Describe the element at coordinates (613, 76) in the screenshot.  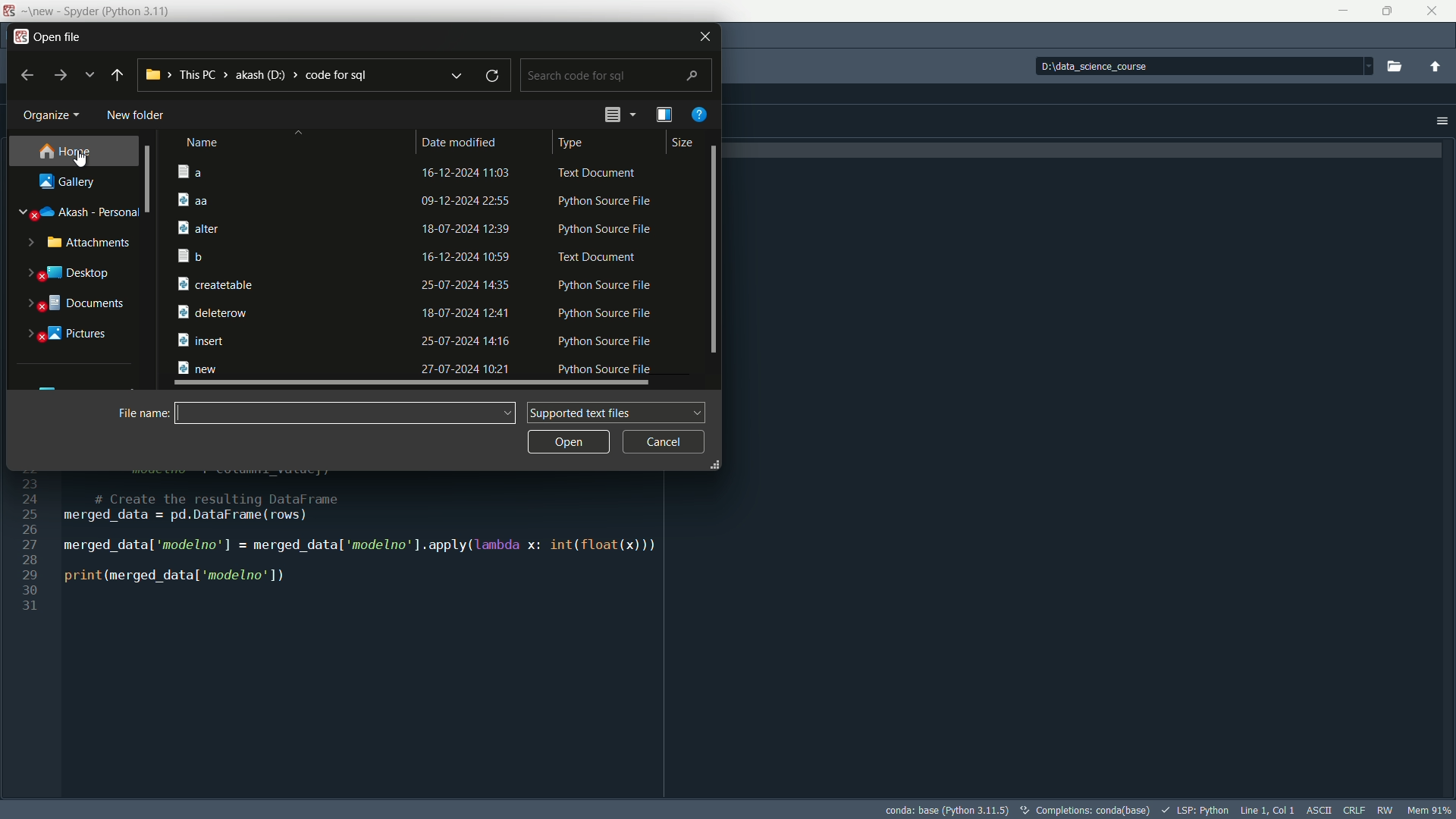
I see `search` at that location.